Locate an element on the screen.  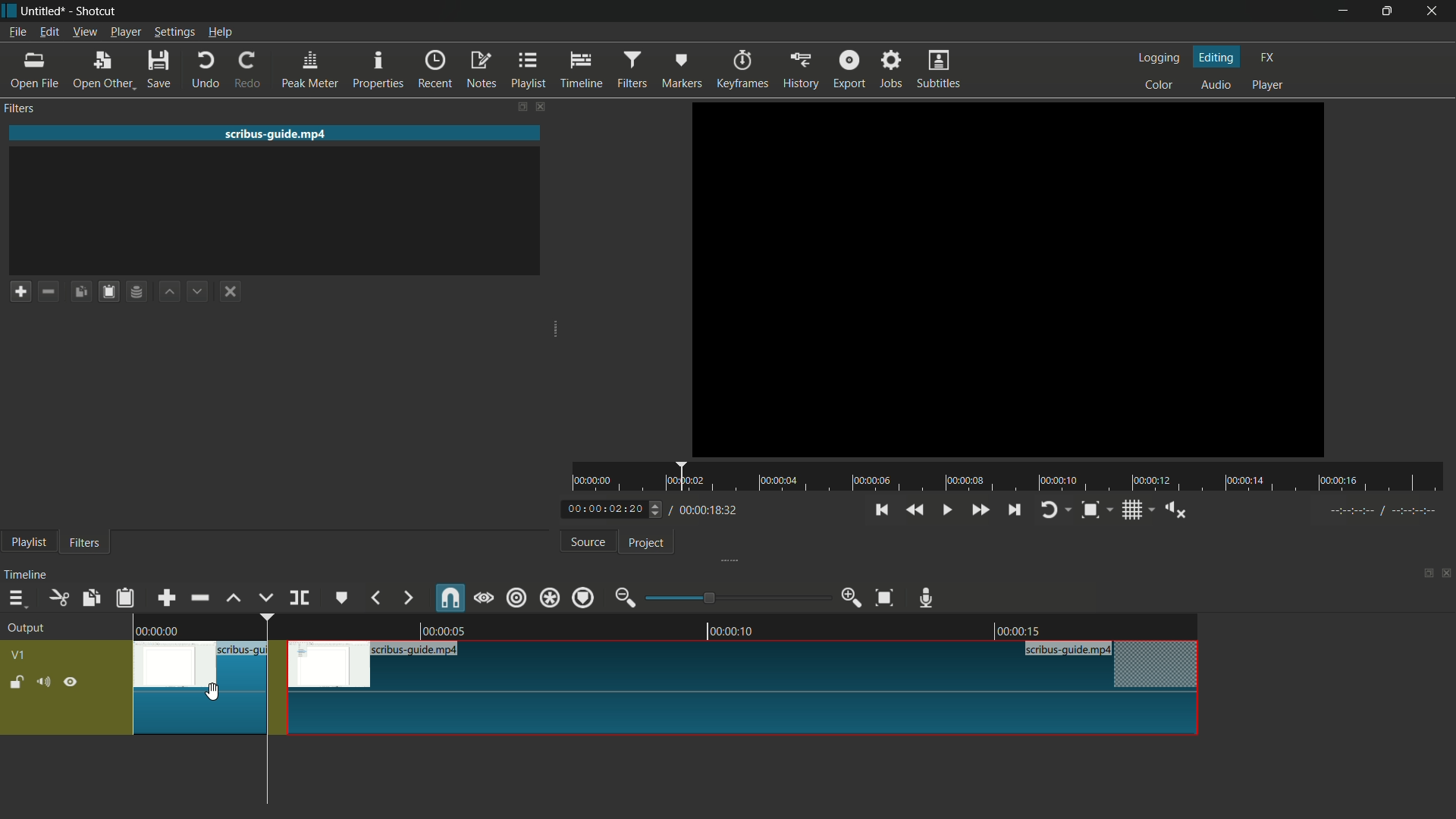
imported file is located at coordinates (1009, 279).